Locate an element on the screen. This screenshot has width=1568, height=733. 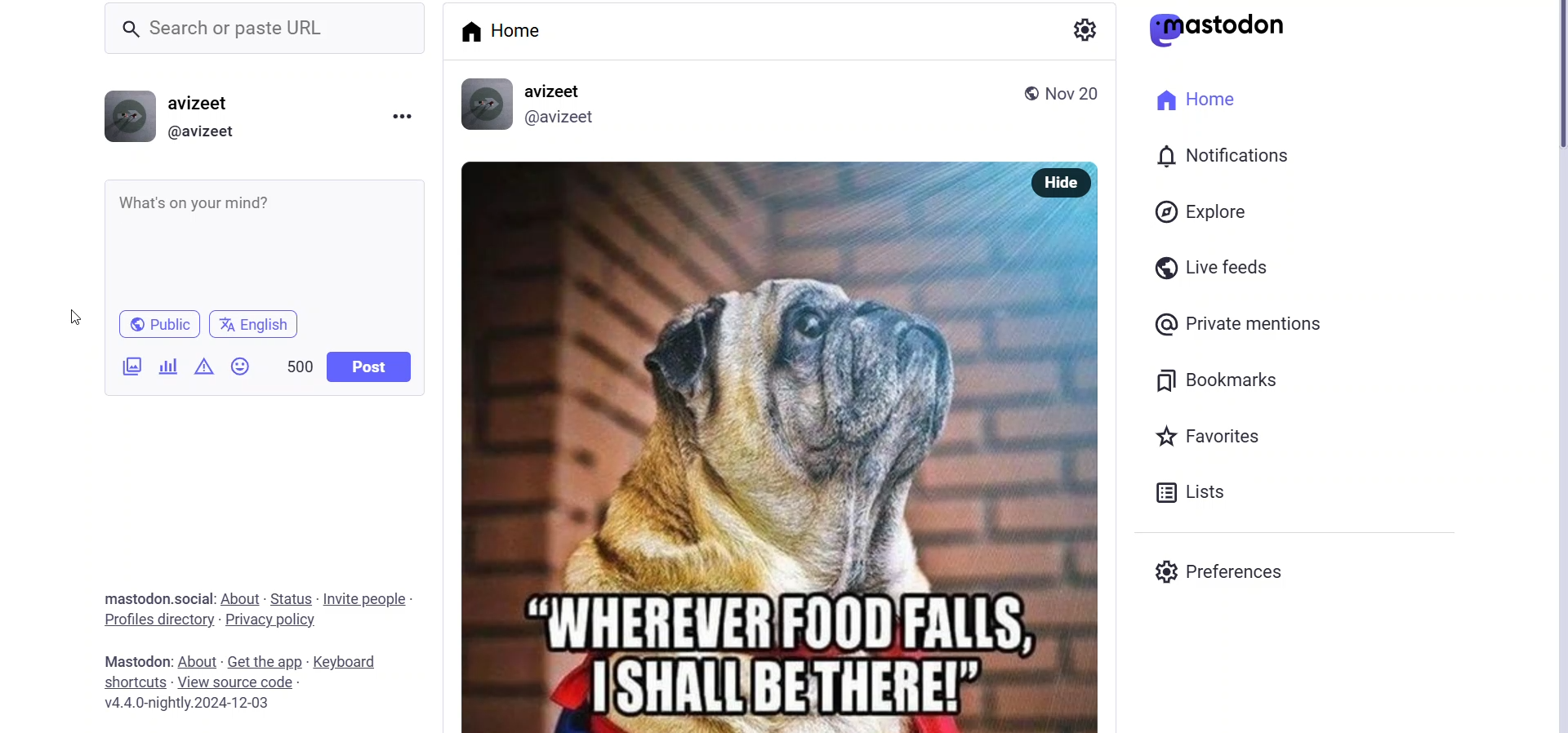
version is located at coordinates (198, 704).